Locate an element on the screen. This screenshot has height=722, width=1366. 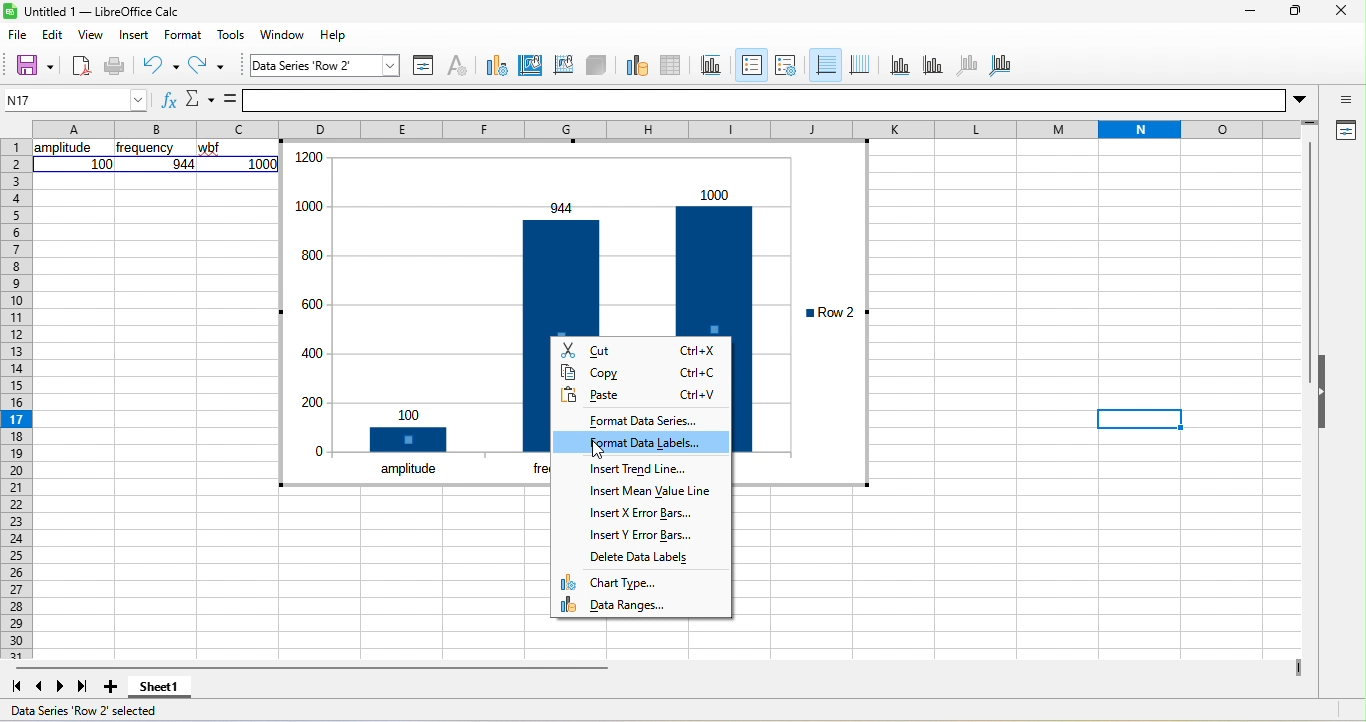
copy is located at coordinates (637, 373).